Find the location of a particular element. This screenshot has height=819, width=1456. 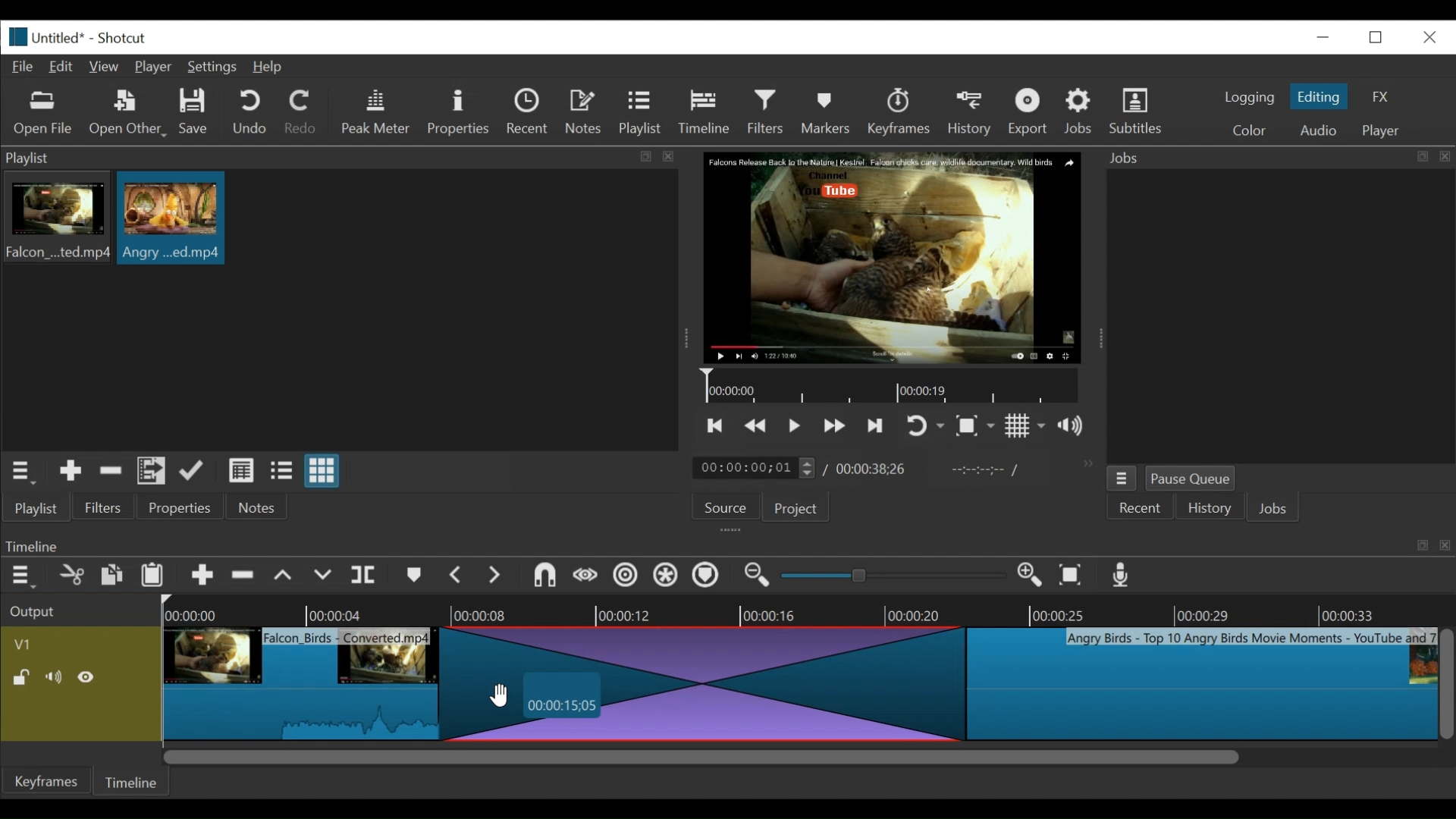

Timeline menu is located at coordinates (25, 576).